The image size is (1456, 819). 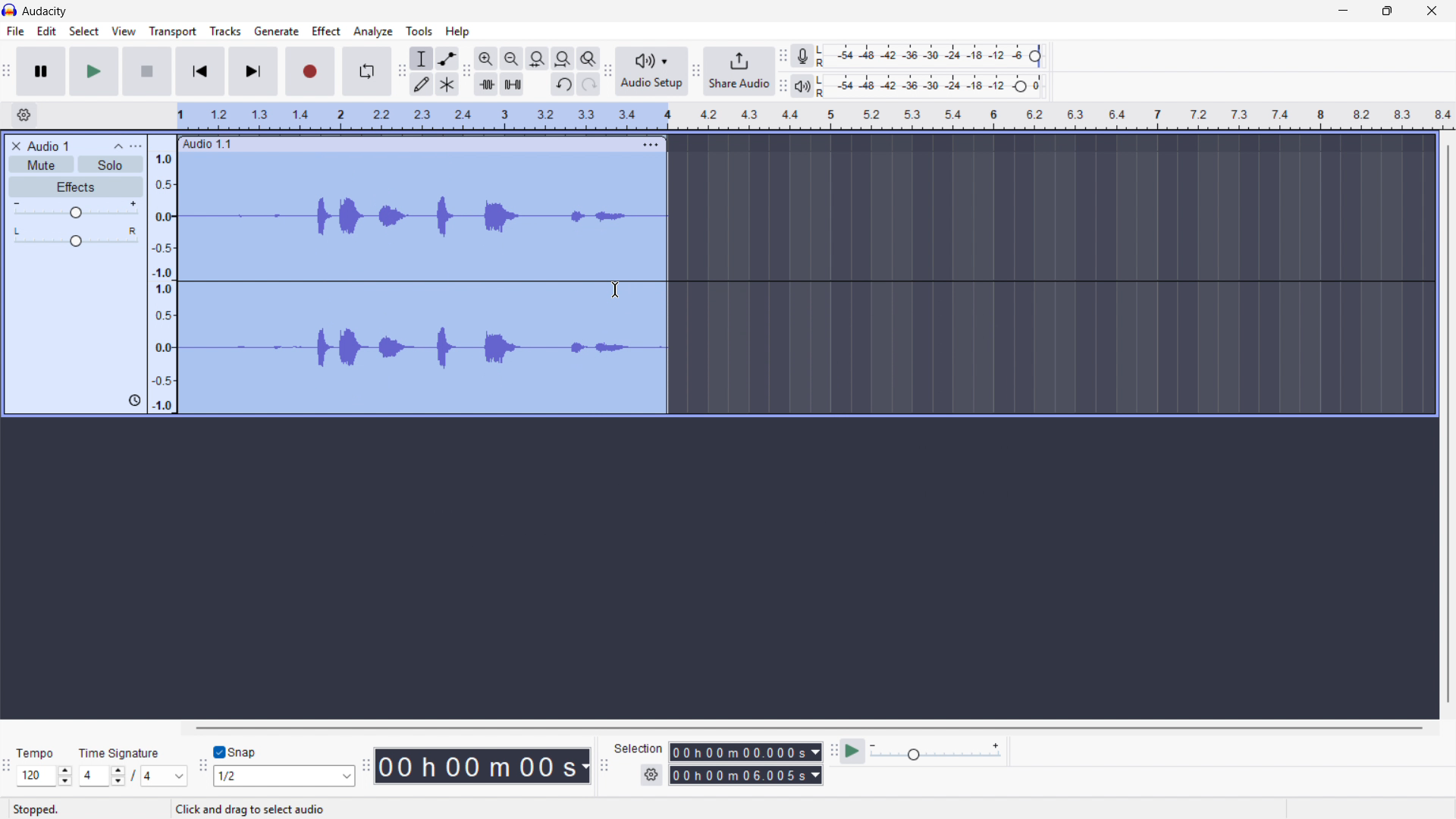 What do you see at coordinates (14, 31) in the screenshot?
I see `file ` at bounding box center [14, 31].